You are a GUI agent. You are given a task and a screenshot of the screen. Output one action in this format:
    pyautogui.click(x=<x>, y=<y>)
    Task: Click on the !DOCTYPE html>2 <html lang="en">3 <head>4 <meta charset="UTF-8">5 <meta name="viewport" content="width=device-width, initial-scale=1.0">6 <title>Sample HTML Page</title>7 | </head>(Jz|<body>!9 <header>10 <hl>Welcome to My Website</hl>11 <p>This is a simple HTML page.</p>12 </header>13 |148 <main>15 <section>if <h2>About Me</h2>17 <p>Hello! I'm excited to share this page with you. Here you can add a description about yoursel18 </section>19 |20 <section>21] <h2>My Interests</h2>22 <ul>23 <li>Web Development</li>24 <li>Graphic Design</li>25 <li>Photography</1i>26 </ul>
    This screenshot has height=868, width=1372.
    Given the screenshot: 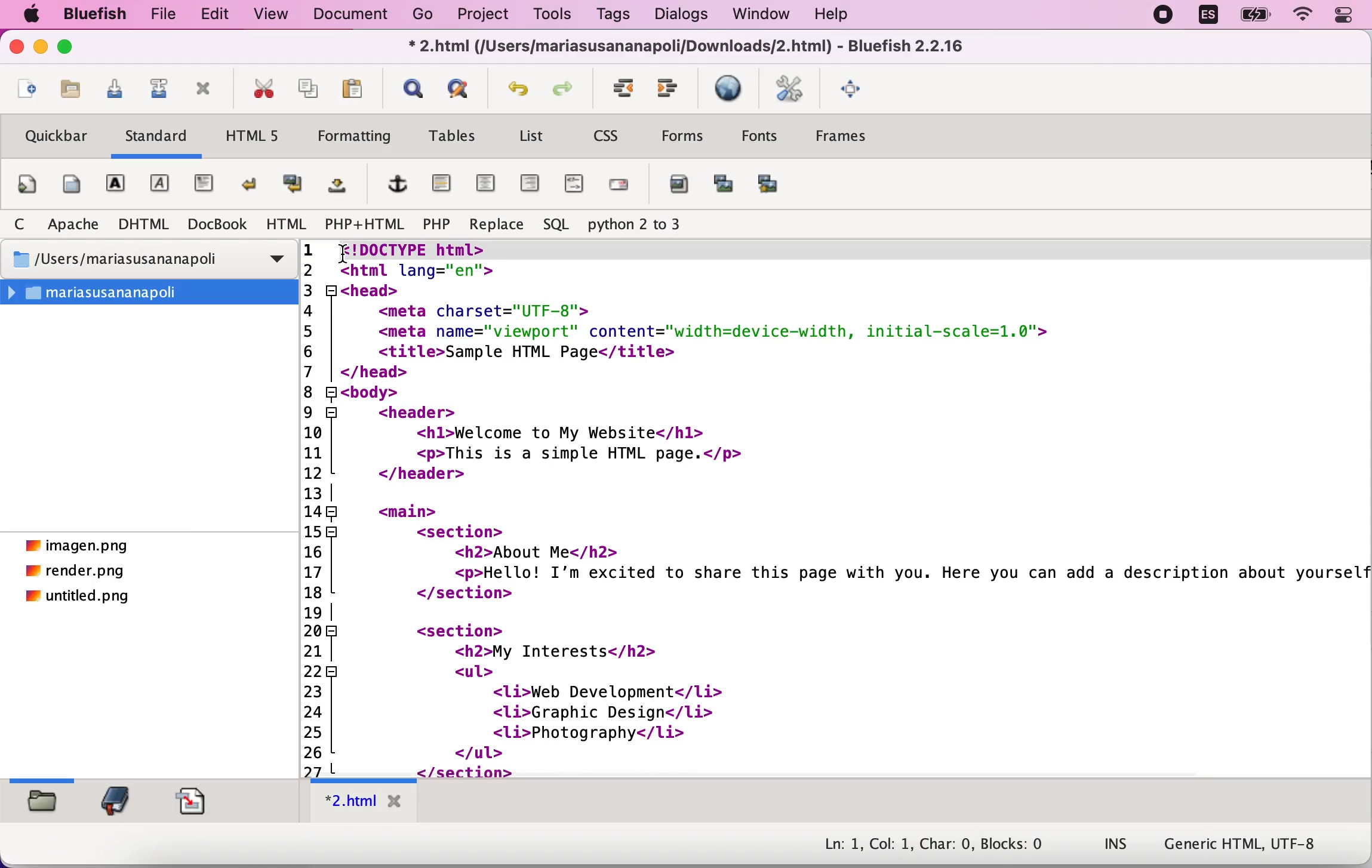 What is the action you would take?
    pyautogui.click(x=831, y=508)
    